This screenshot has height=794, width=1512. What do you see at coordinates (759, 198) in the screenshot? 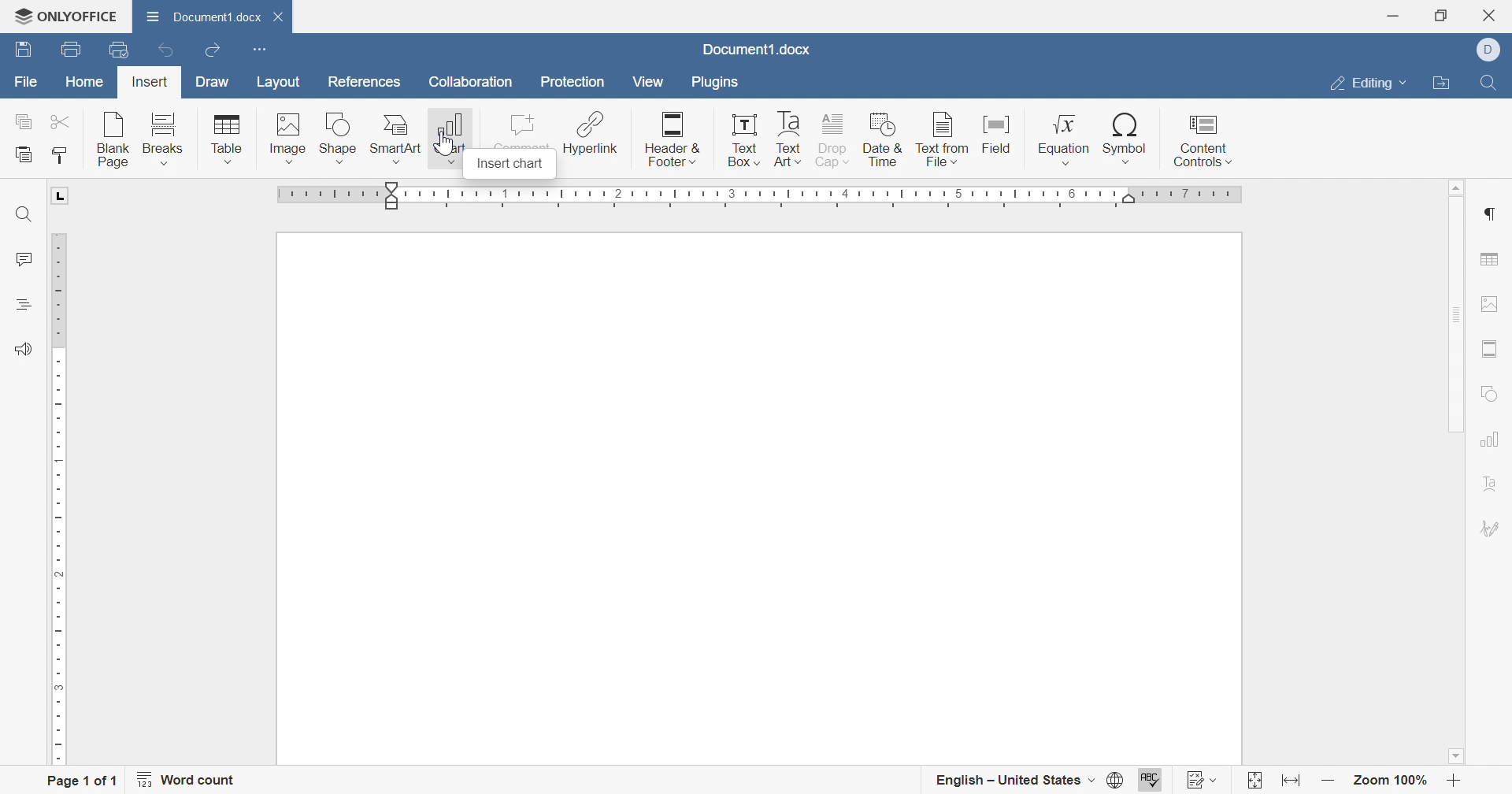
I see `Ruler` at bounding box center [759, 198].